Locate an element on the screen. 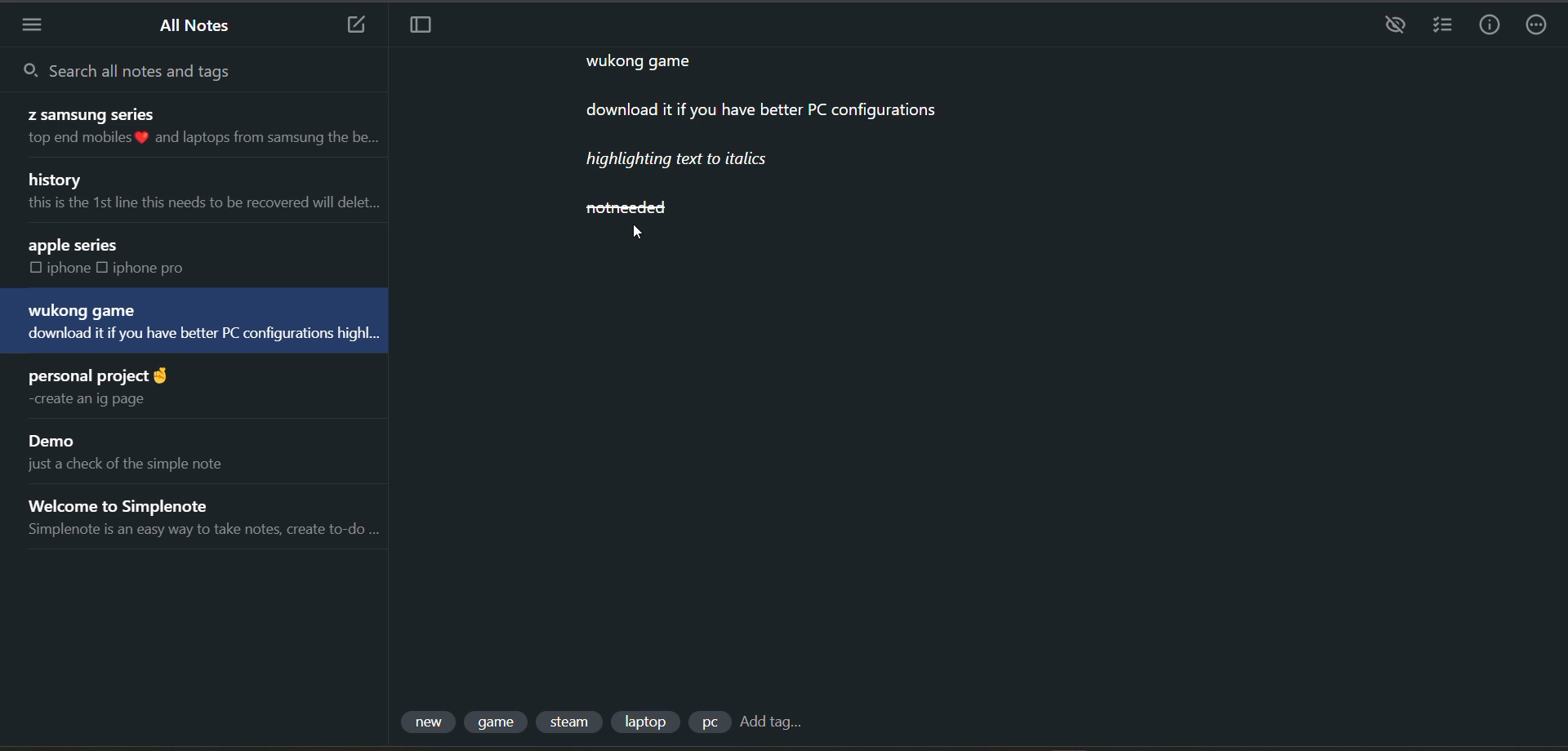 Image resolution: width=1568 pixels, height=751 pixels. tag 4 is located at coordinates (651, 720).